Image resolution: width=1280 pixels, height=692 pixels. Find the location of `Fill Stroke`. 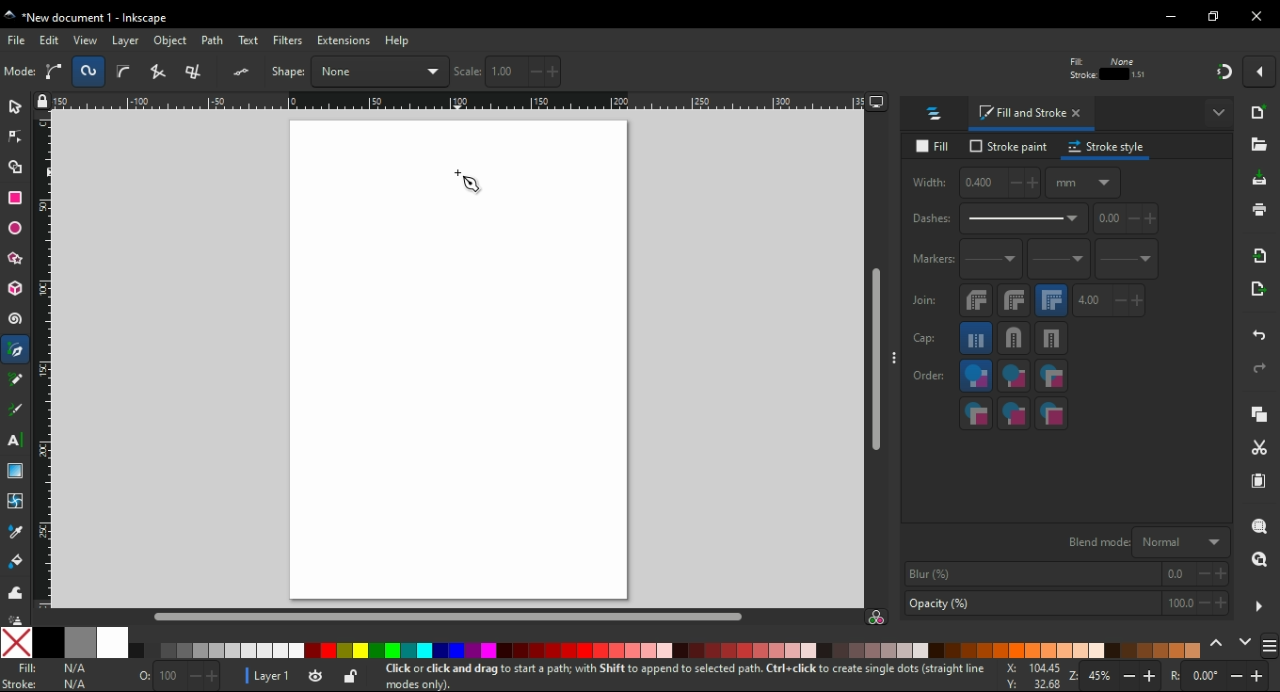

Fill Stroke is located at coordinates (19, 676).